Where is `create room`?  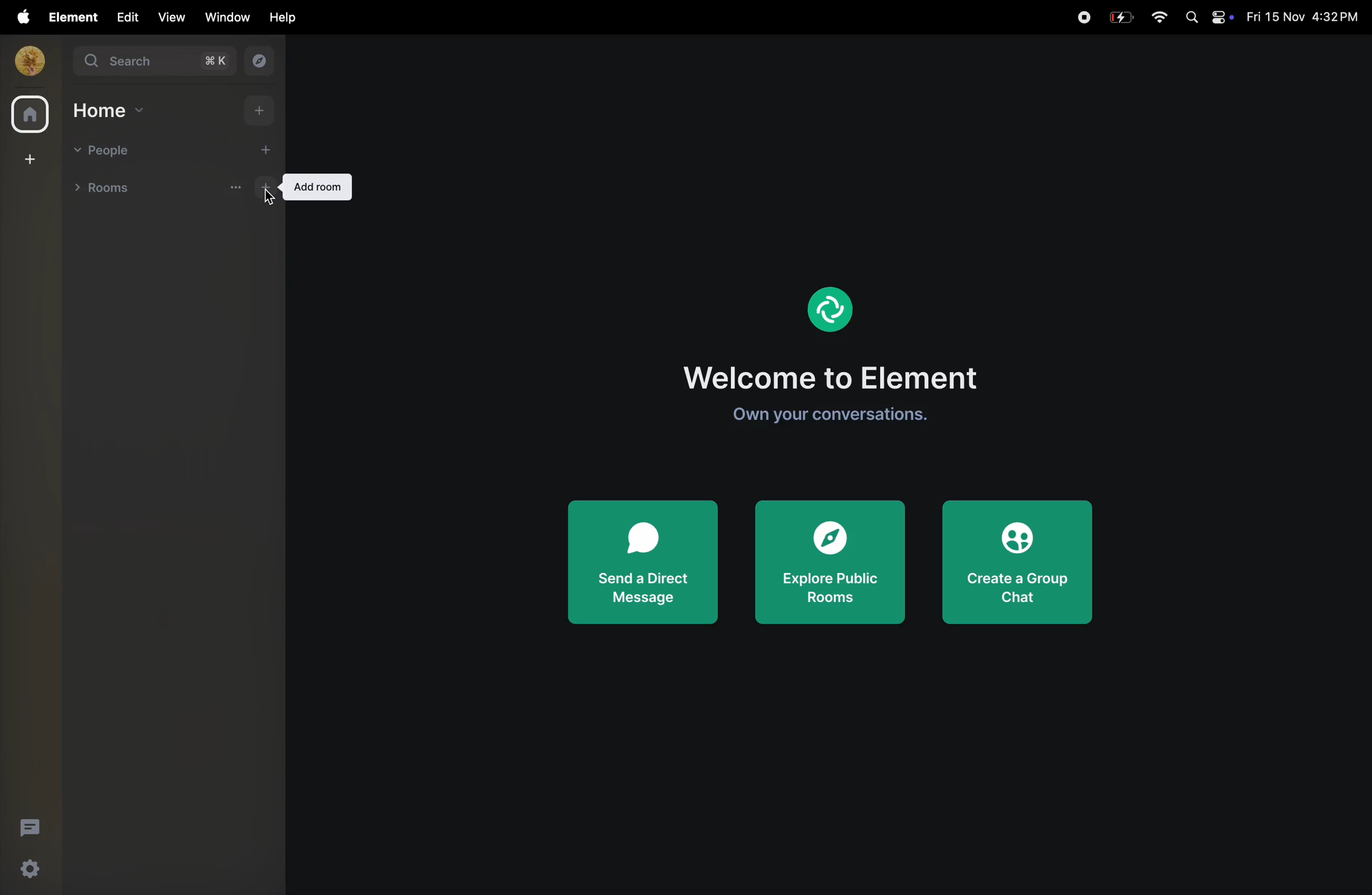
create room is located at coordinates (28, 160).